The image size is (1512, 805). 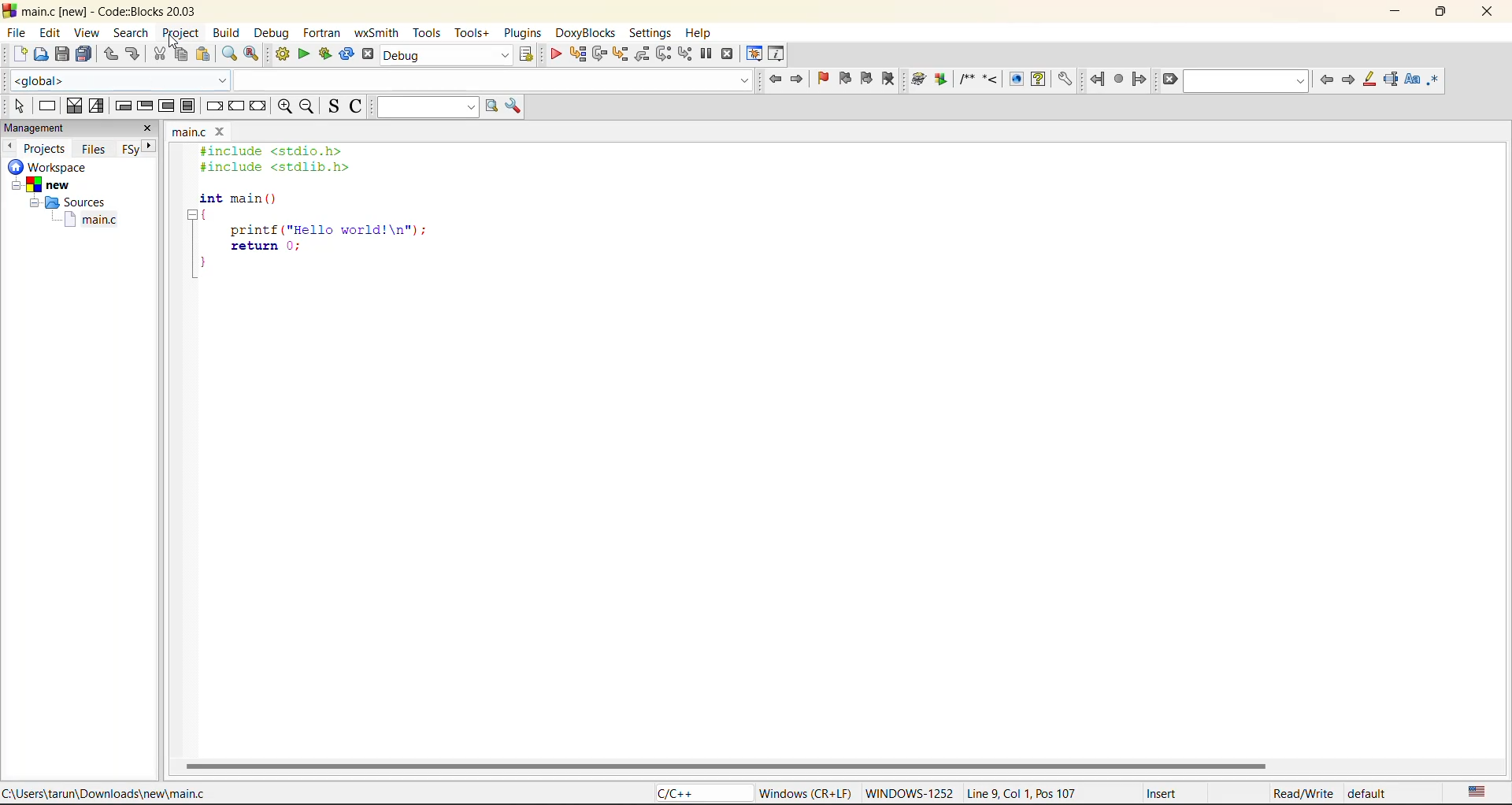 What do you see at coordinates (357, 107) in the screenshot?
I see `toggle comments` at bounding box center [357, 107].